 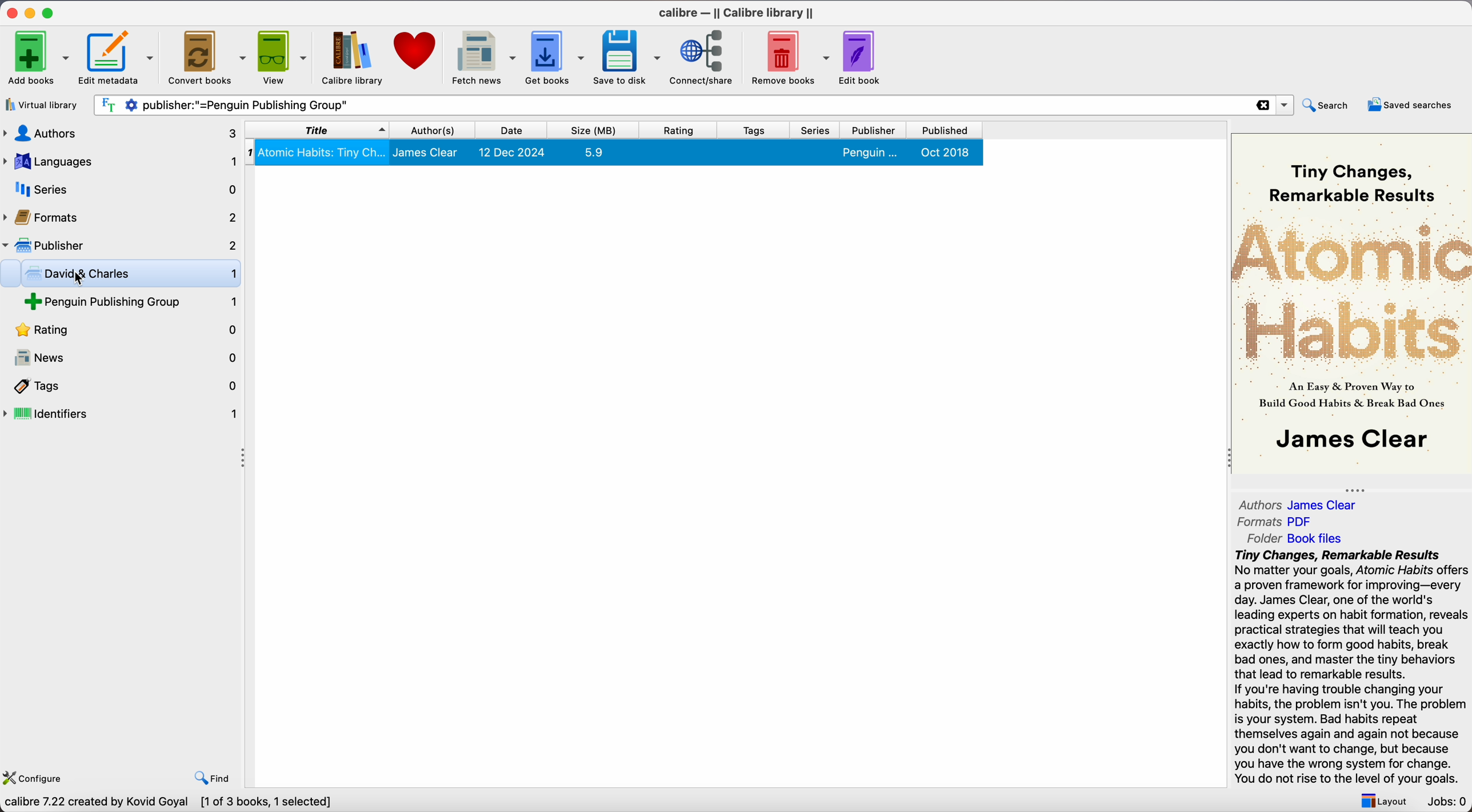 I want to click on donate, so click(x=416, y=52).